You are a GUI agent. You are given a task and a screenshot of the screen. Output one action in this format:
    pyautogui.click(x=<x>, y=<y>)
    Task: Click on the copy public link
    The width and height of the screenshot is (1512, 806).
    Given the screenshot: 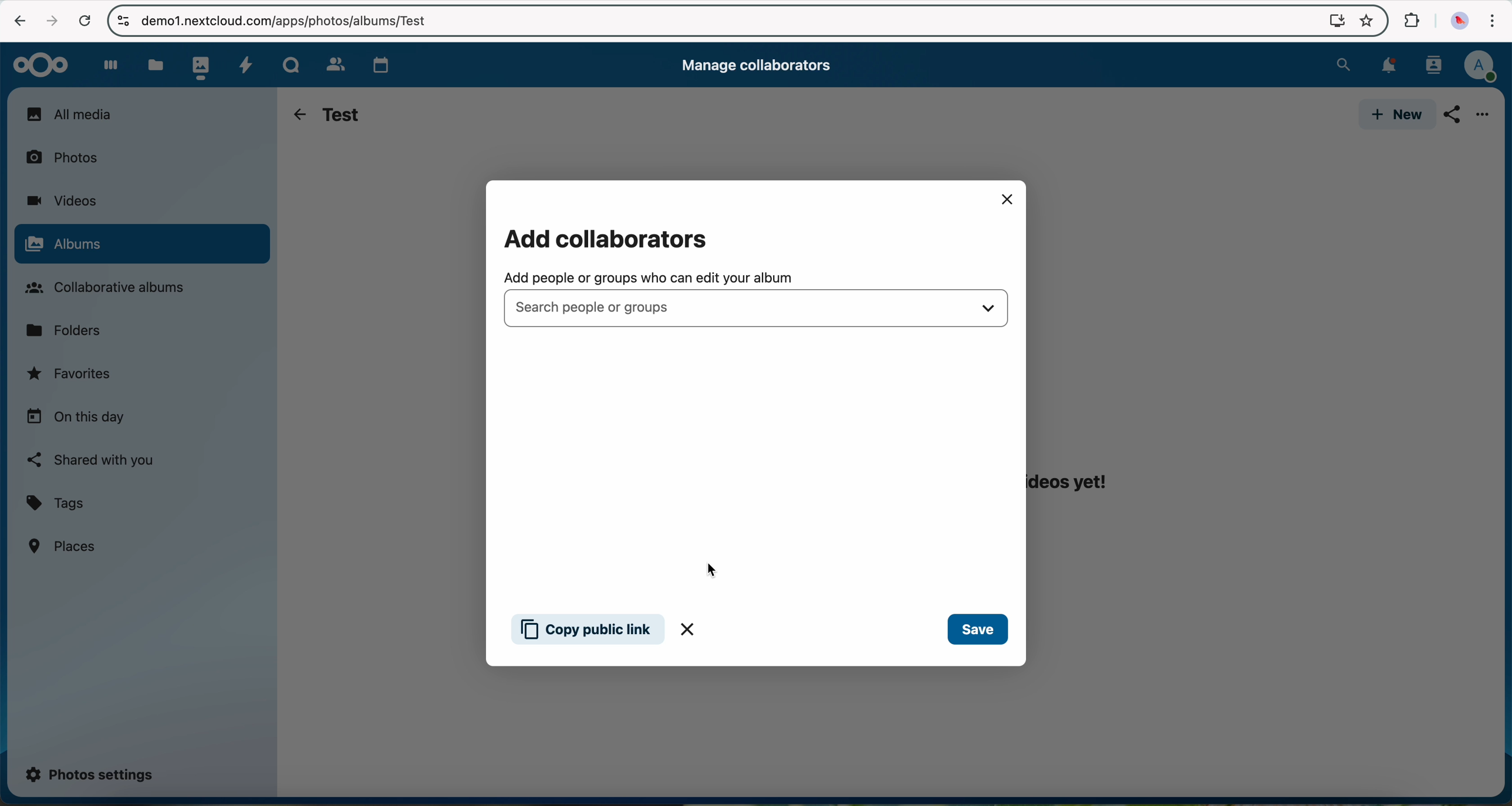 What is the action you would take?
    pyautogui.click(x=592, y=629)
    